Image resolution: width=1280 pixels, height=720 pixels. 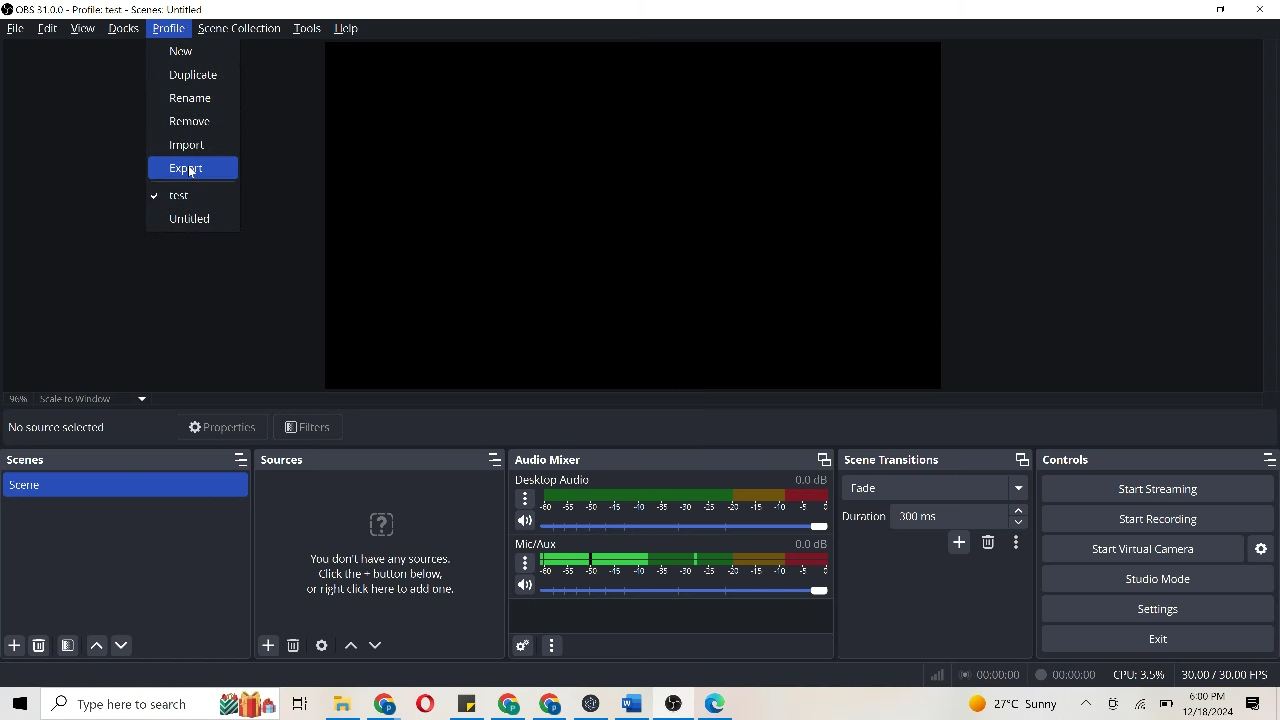 I want to click on video clip, so click(x=633, y=215).